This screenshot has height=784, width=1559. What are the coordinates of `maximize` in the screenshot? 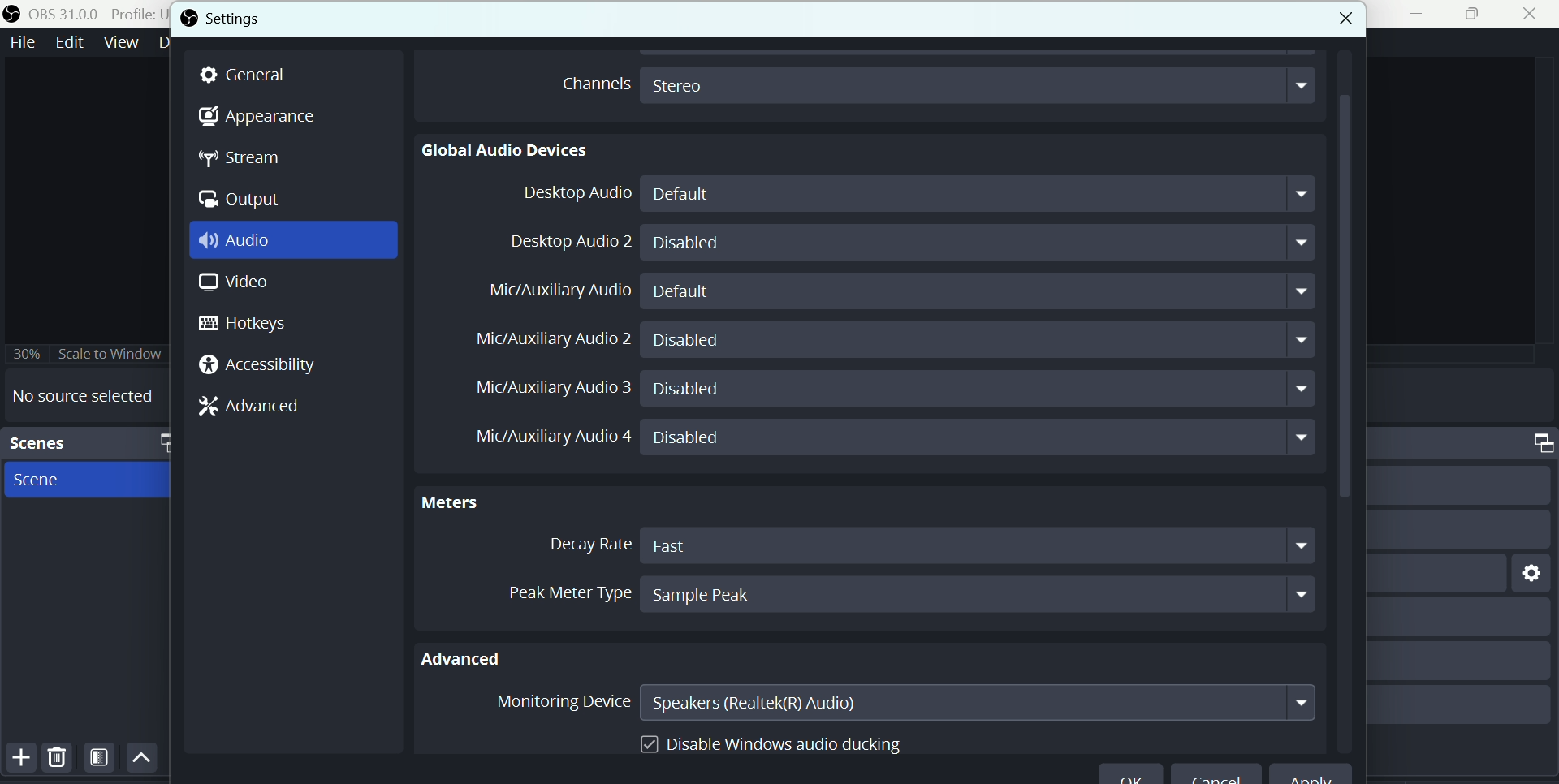 It's located at (1535, 443).